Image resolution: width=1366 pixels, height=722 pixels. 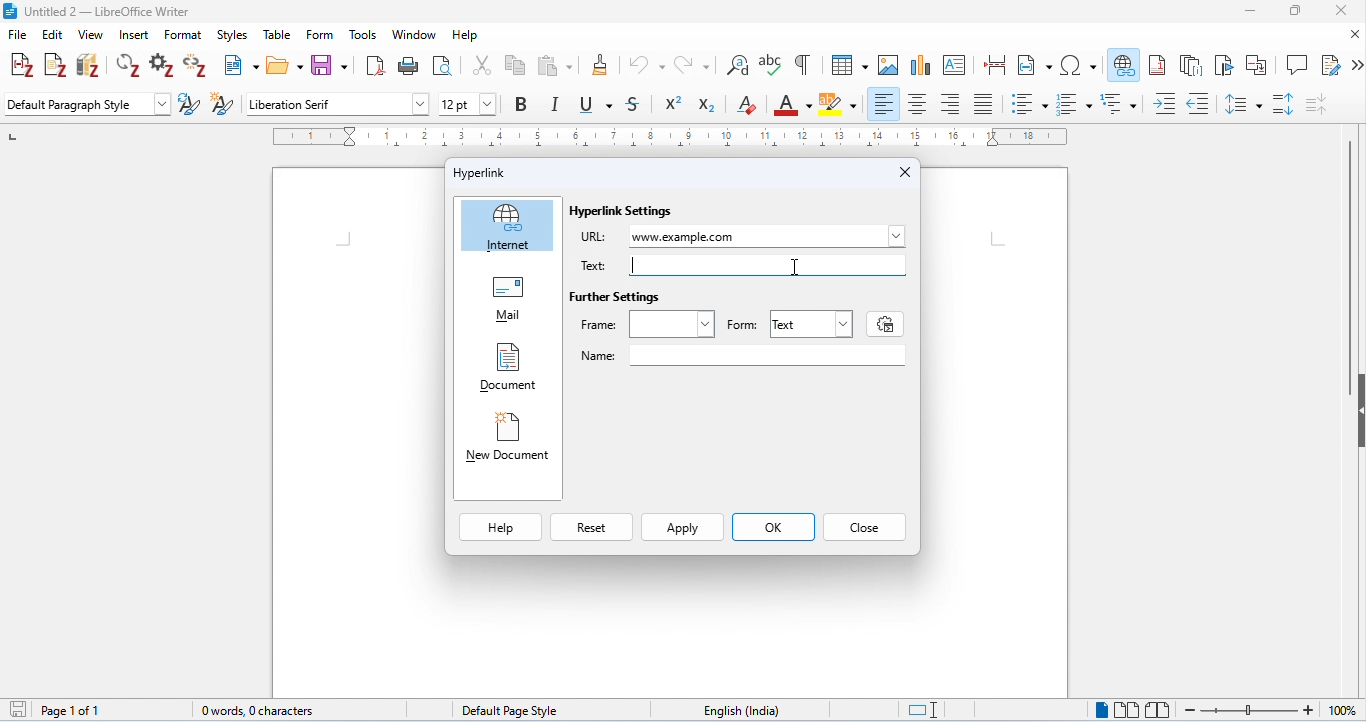 I want to click on insert footnote, so click(x=1157, y=64).